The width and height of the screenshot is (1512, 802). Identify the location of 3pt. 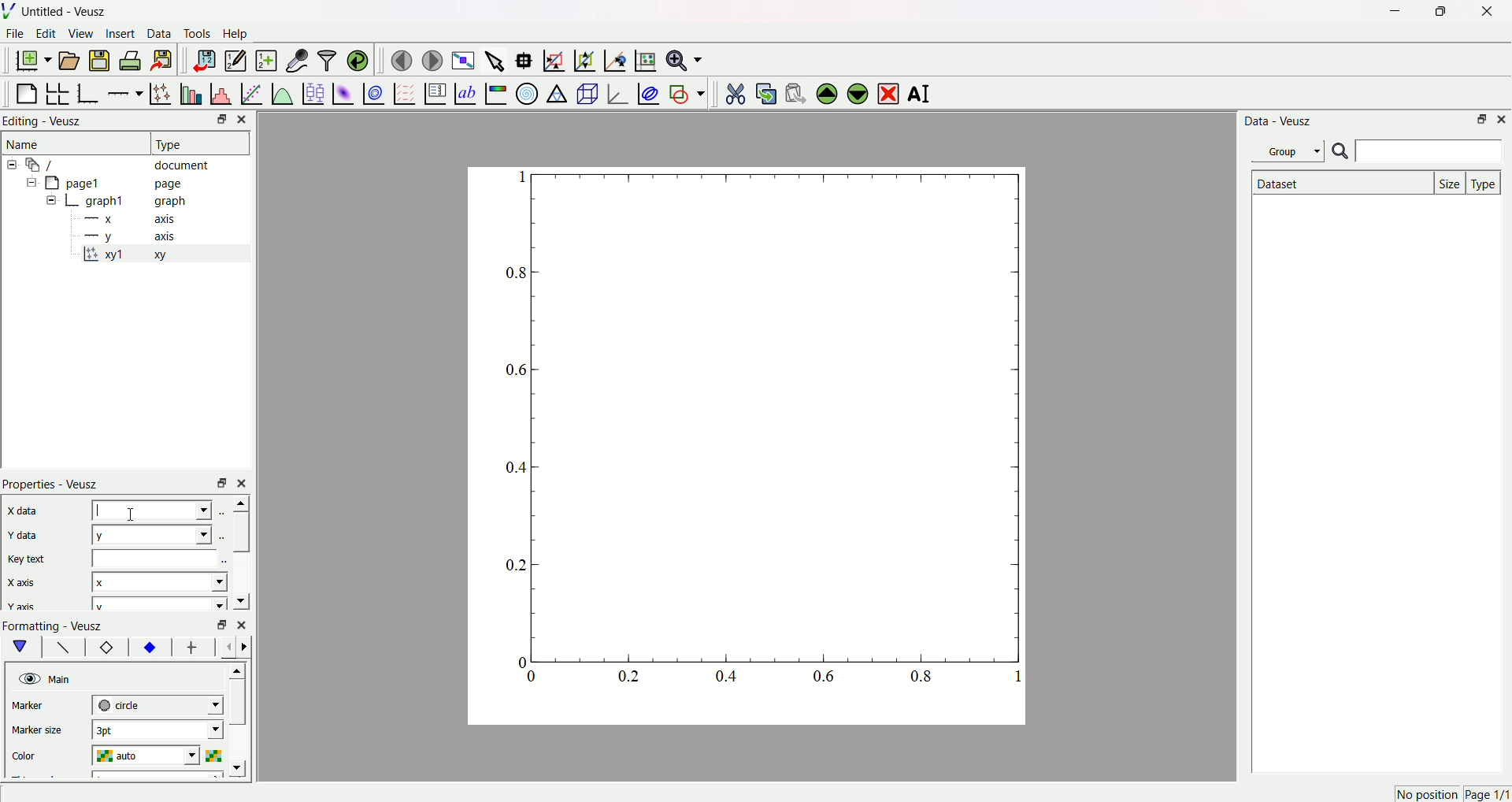
(157, 730).